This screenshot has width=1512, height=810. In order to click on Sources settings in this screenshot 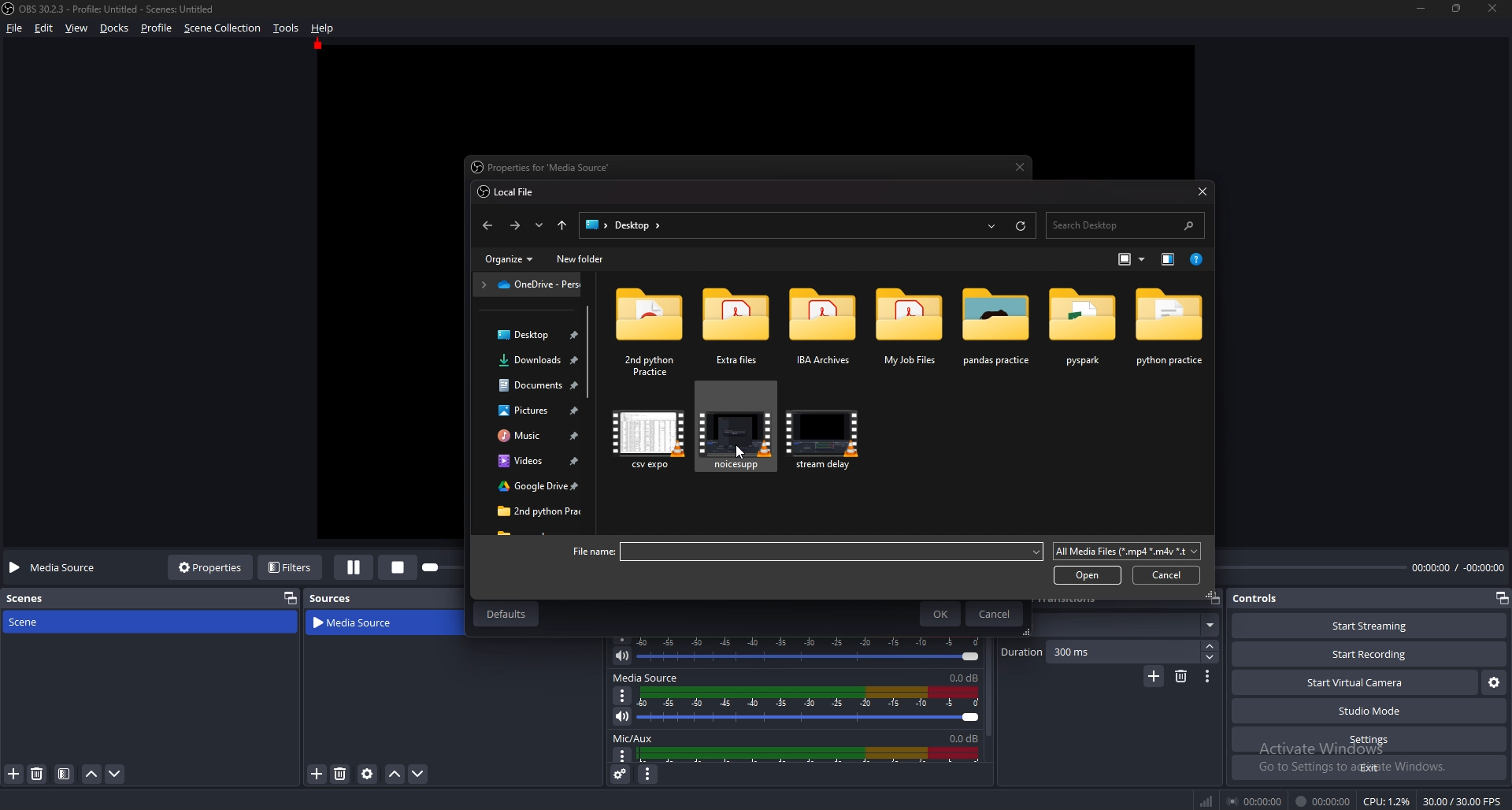, I will do `click(369, 774)`.